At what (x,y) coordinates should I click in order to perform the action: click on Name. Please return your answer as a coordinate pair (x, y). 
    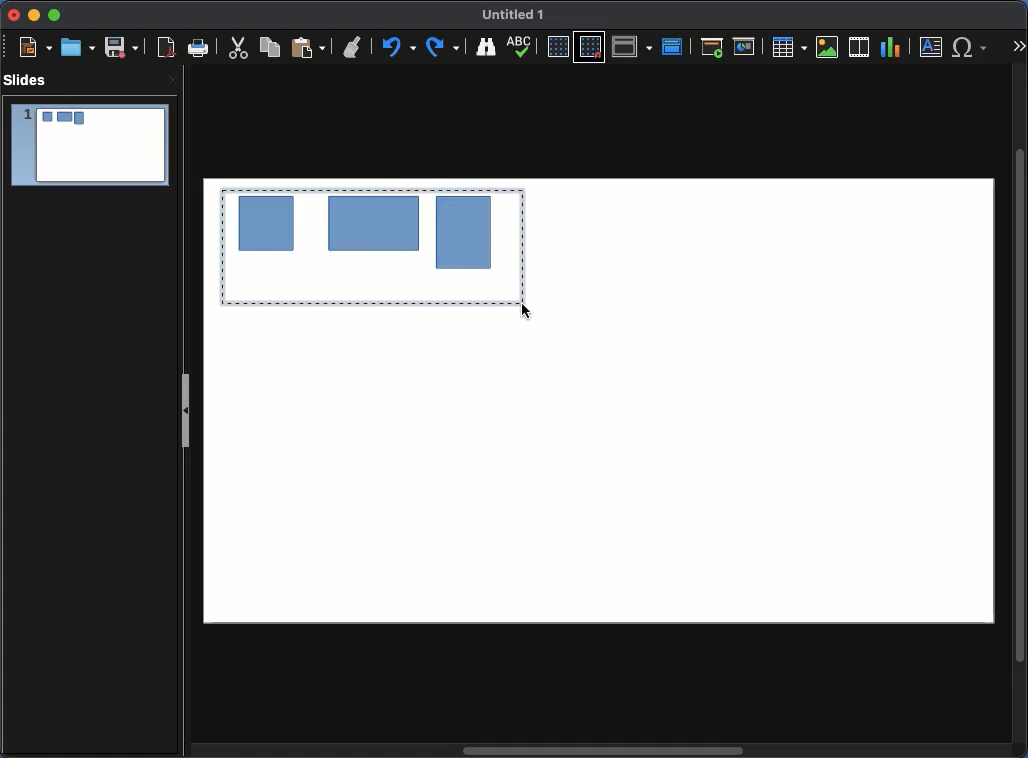
    Looking at the image, I should click on (518, 16).